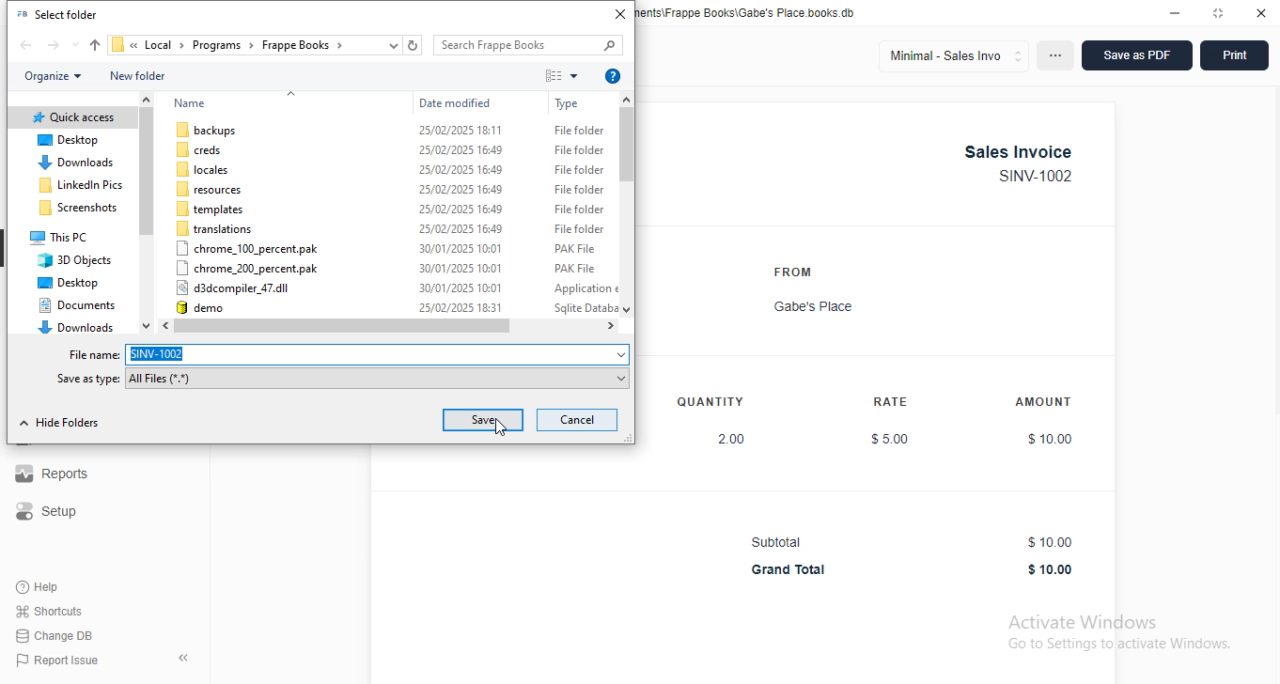 The height and width of the screenshot is (684, 1280). I want to click on up to "programs", so click(95, 45).